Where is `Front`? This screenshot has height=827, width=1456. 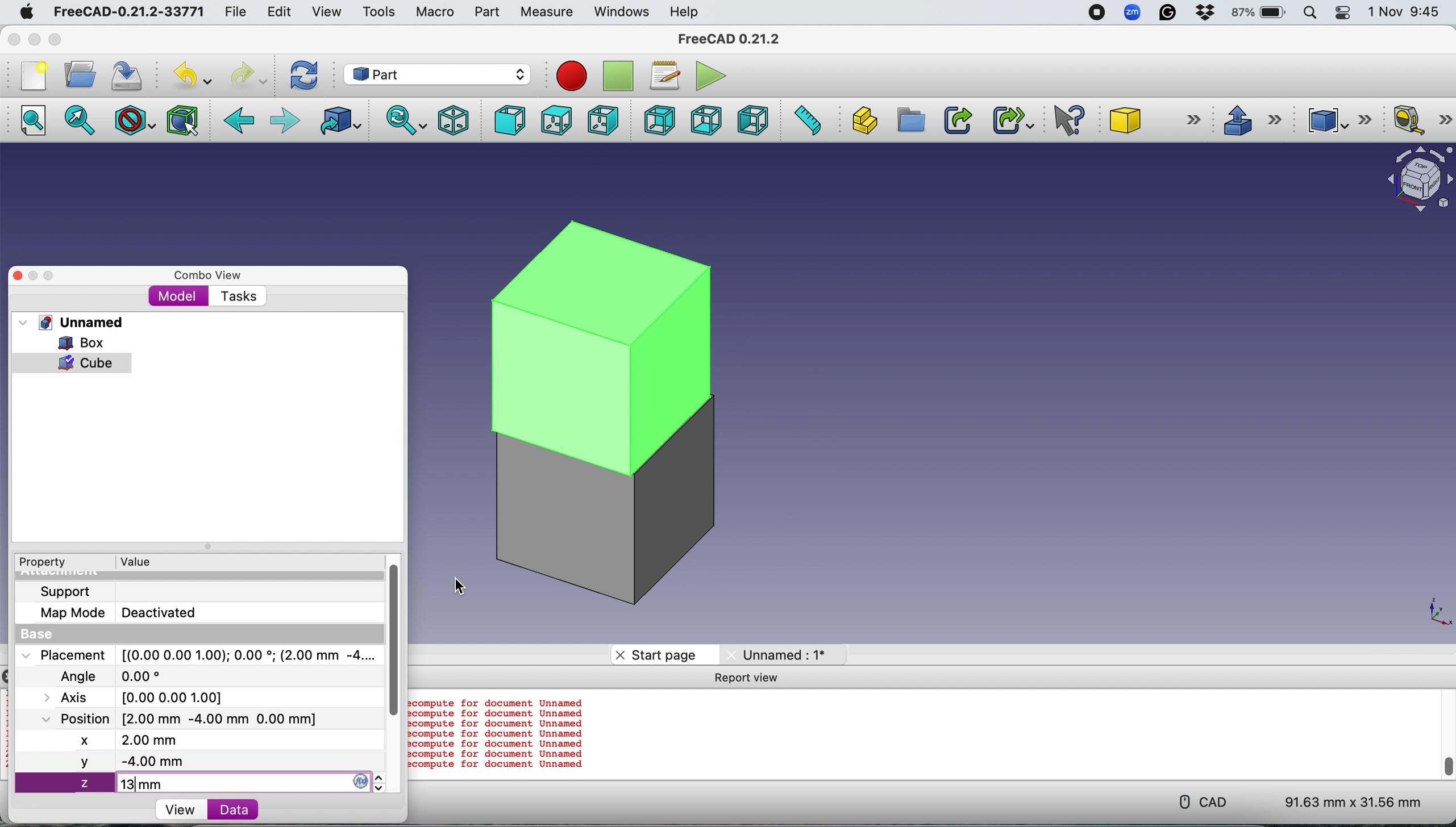
Front is located at coordinates (506, 120).